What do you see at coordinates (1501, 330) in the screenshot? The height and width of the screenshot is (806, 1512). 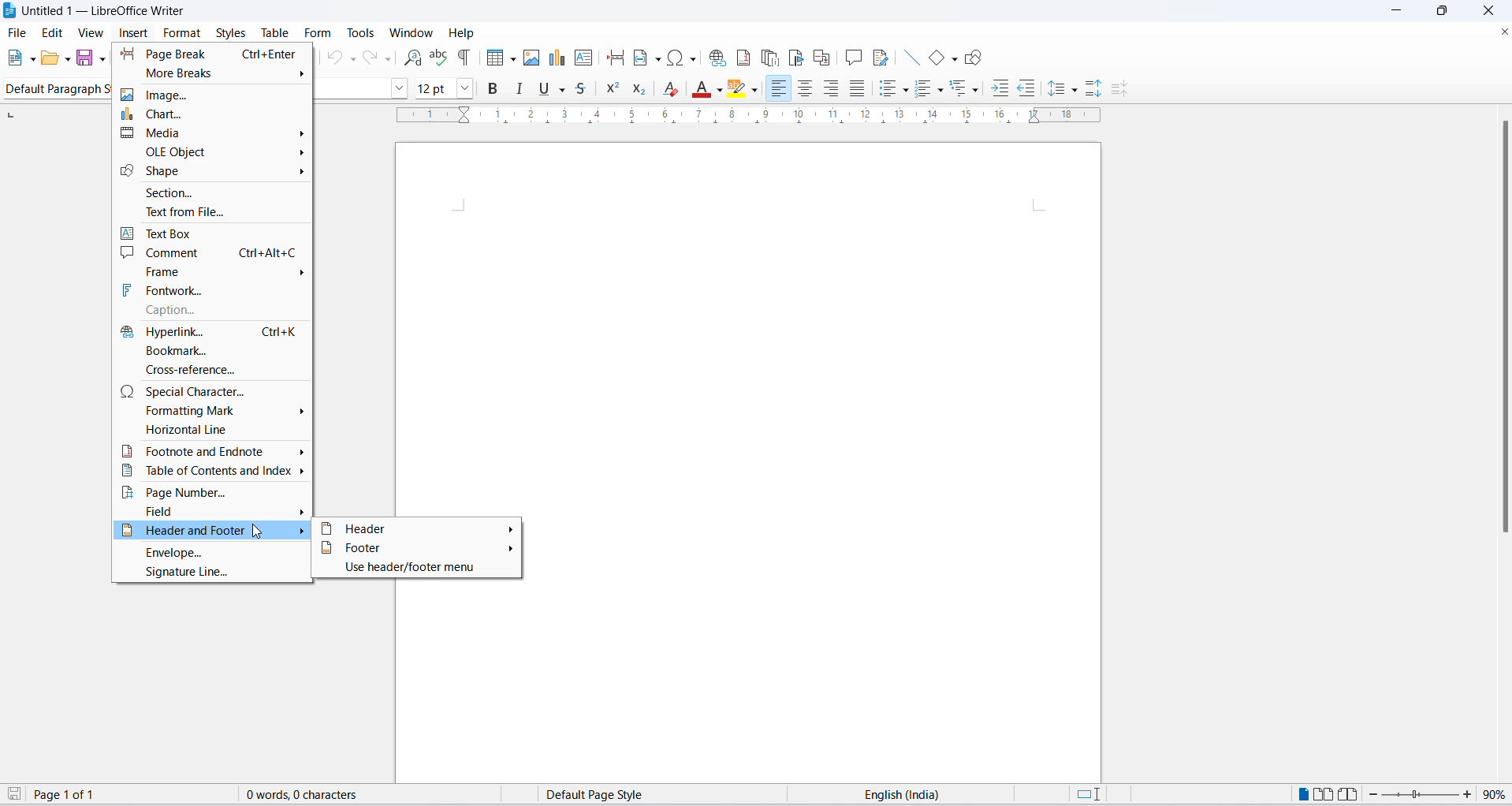 I see `scrollbar` at bounding box center [1501, 330].